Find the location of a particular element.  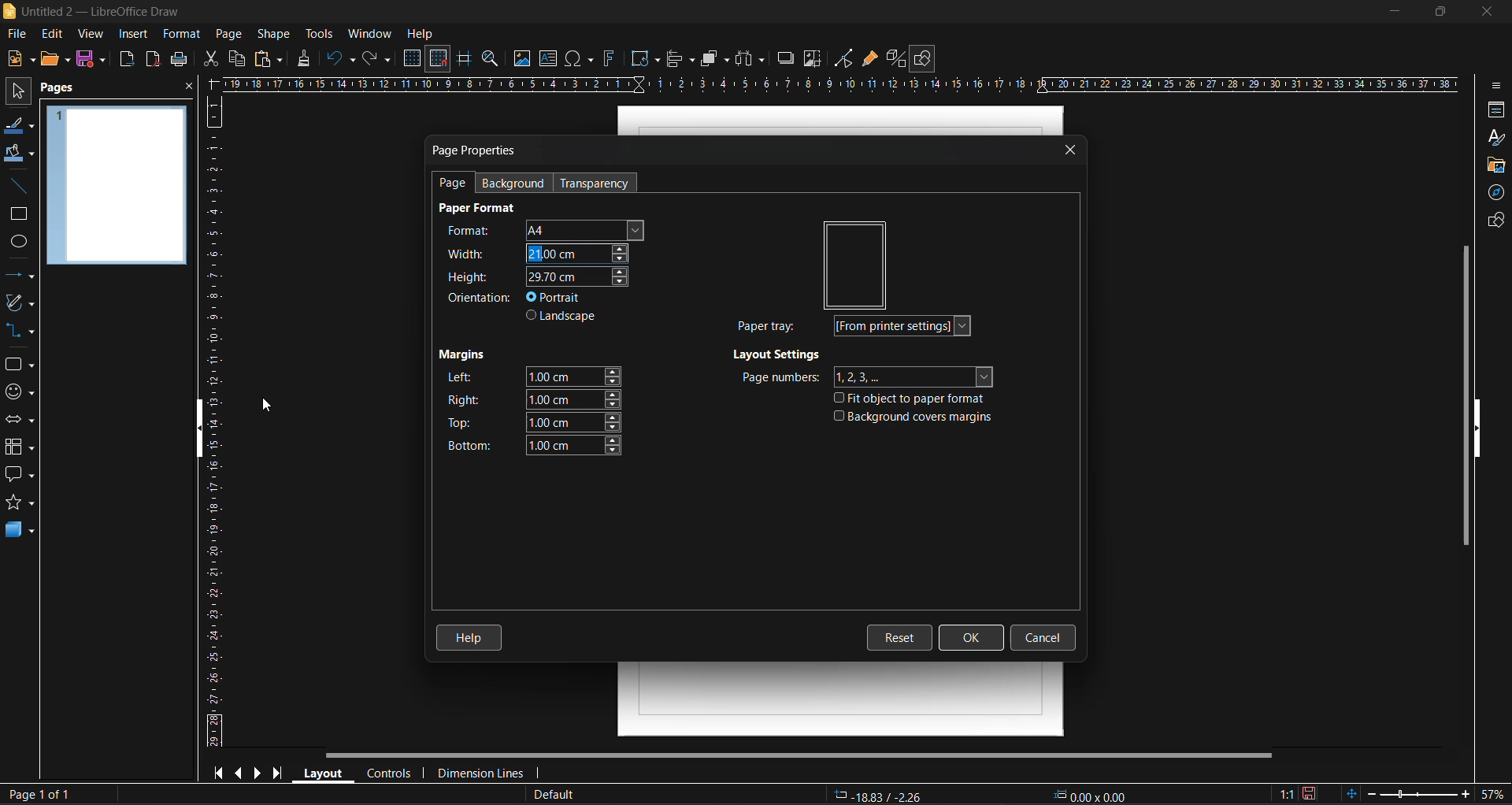

ok is located at coordinates (972, 635).